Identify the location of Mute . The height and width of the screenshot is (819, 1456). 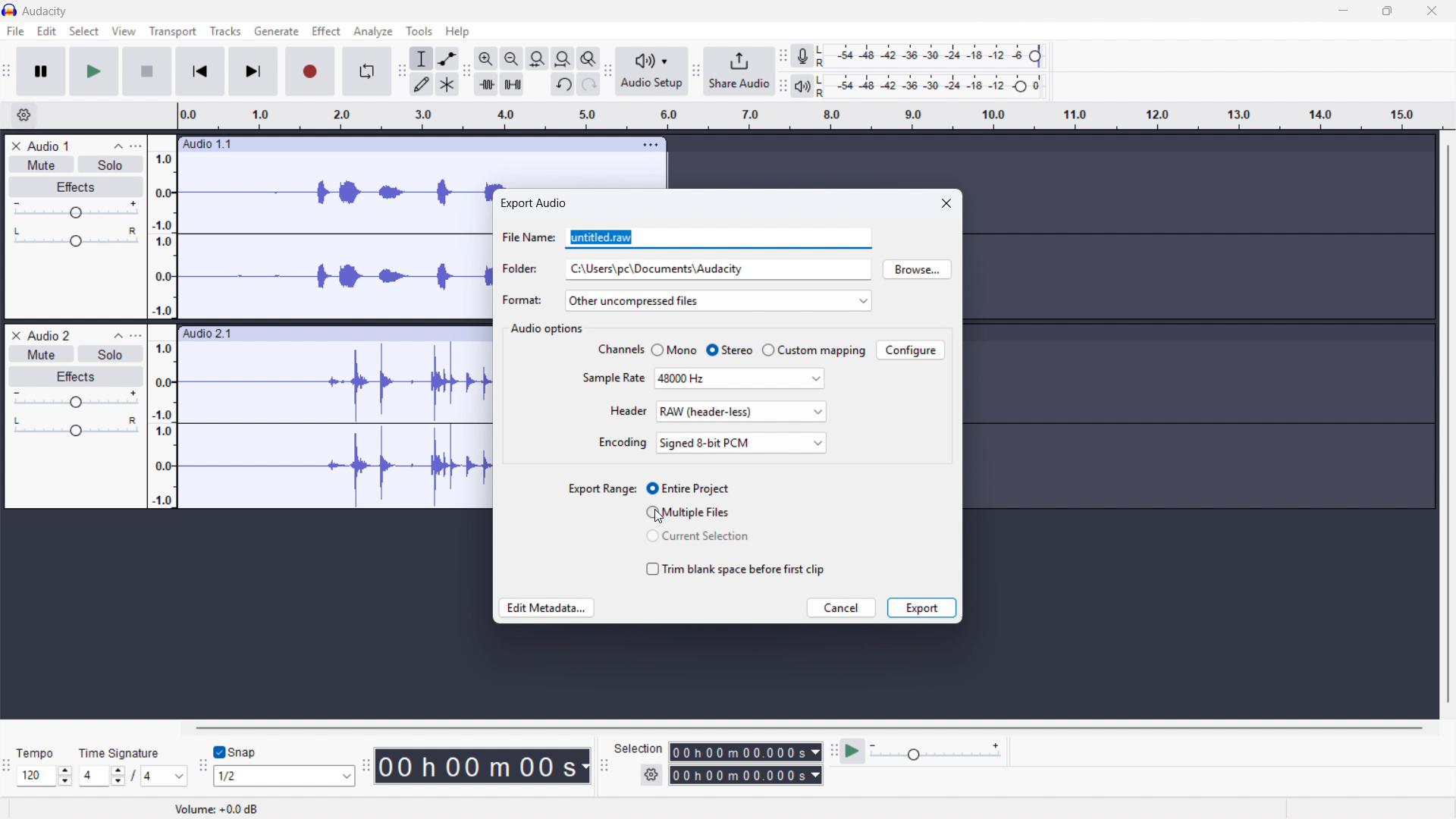
(42, 165).